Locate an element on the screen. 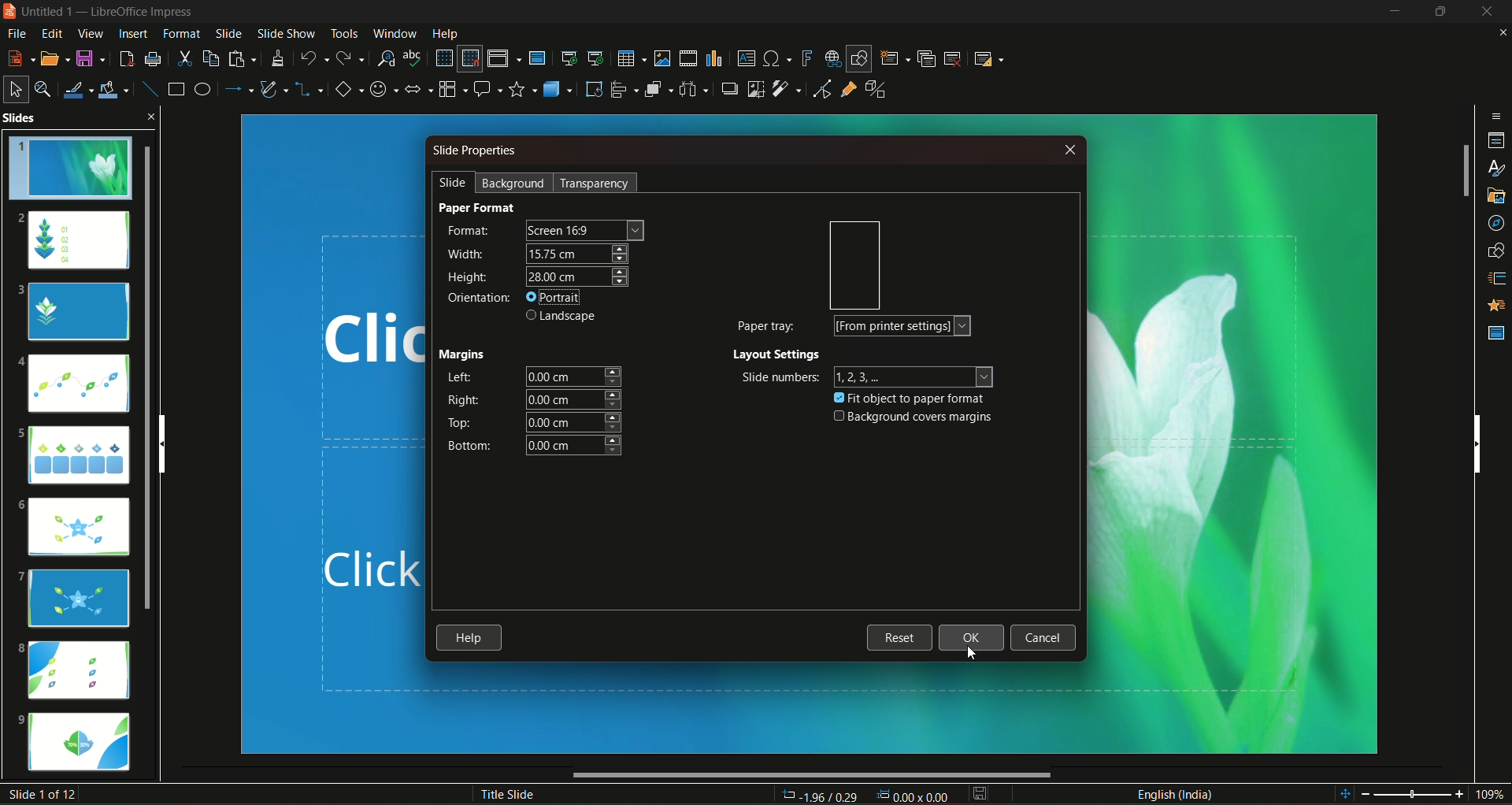  orientation is located at coordinates (852, 265).